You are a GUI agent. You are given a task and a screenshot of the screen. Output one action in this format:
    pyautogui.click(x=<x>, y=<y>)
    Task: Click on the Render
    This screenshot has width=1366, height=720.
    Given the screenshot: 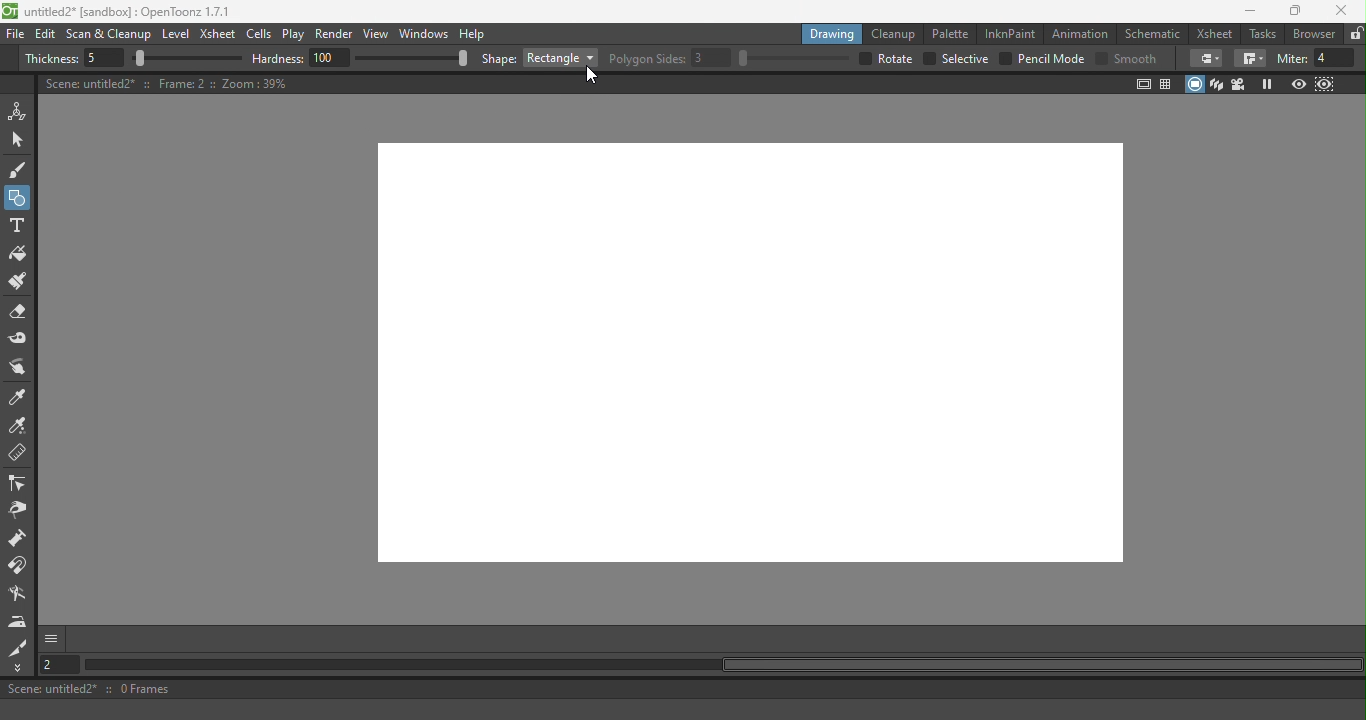 What is the action you would take?
    pyautogui.click(x=334, y=34)
    